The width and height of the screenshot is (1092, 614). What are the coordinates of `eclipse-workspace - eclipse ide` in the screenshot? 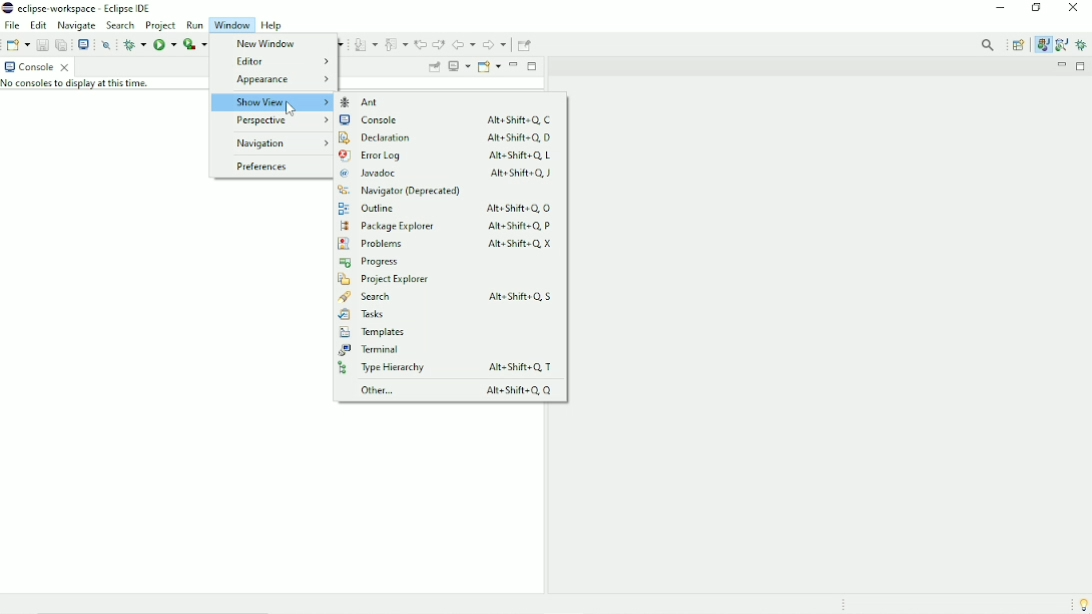 It's located at (92, 7).